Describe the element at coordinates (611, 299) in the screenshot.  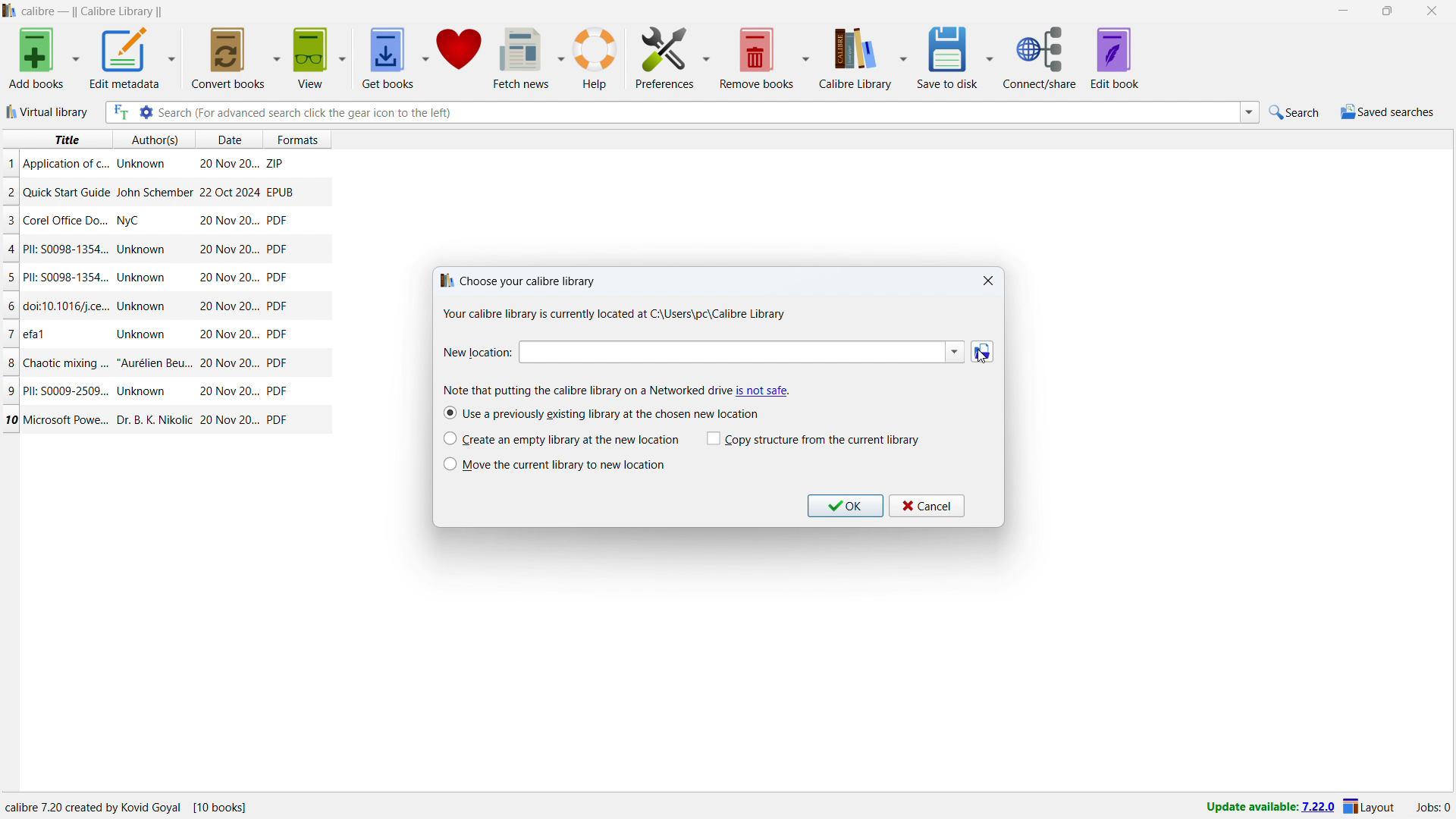
I see `choose your calibre library dialogbox` at that location.